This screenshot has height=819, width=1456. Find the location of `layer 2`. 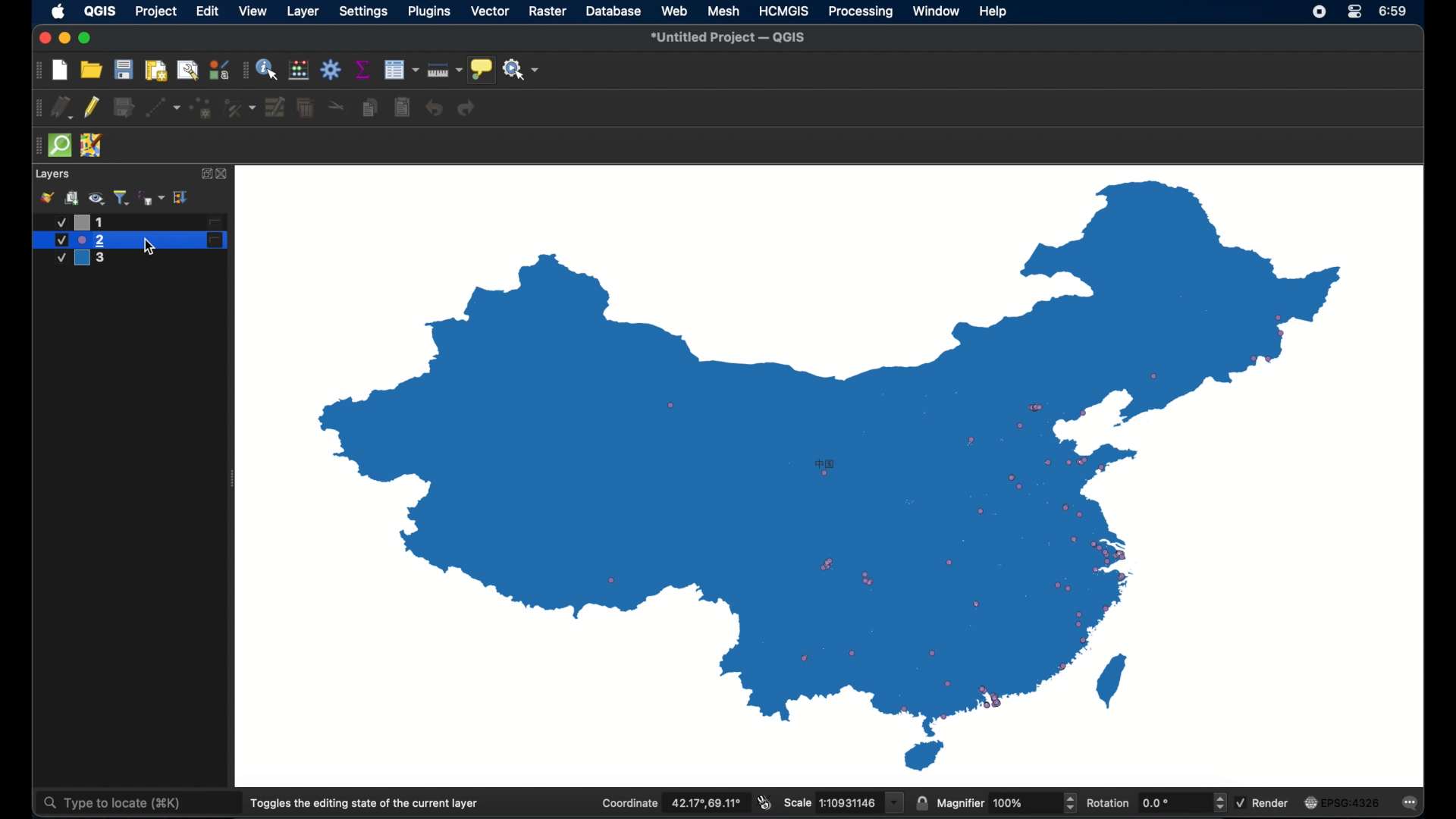

layer 2 is located at coordinates (130, 240).